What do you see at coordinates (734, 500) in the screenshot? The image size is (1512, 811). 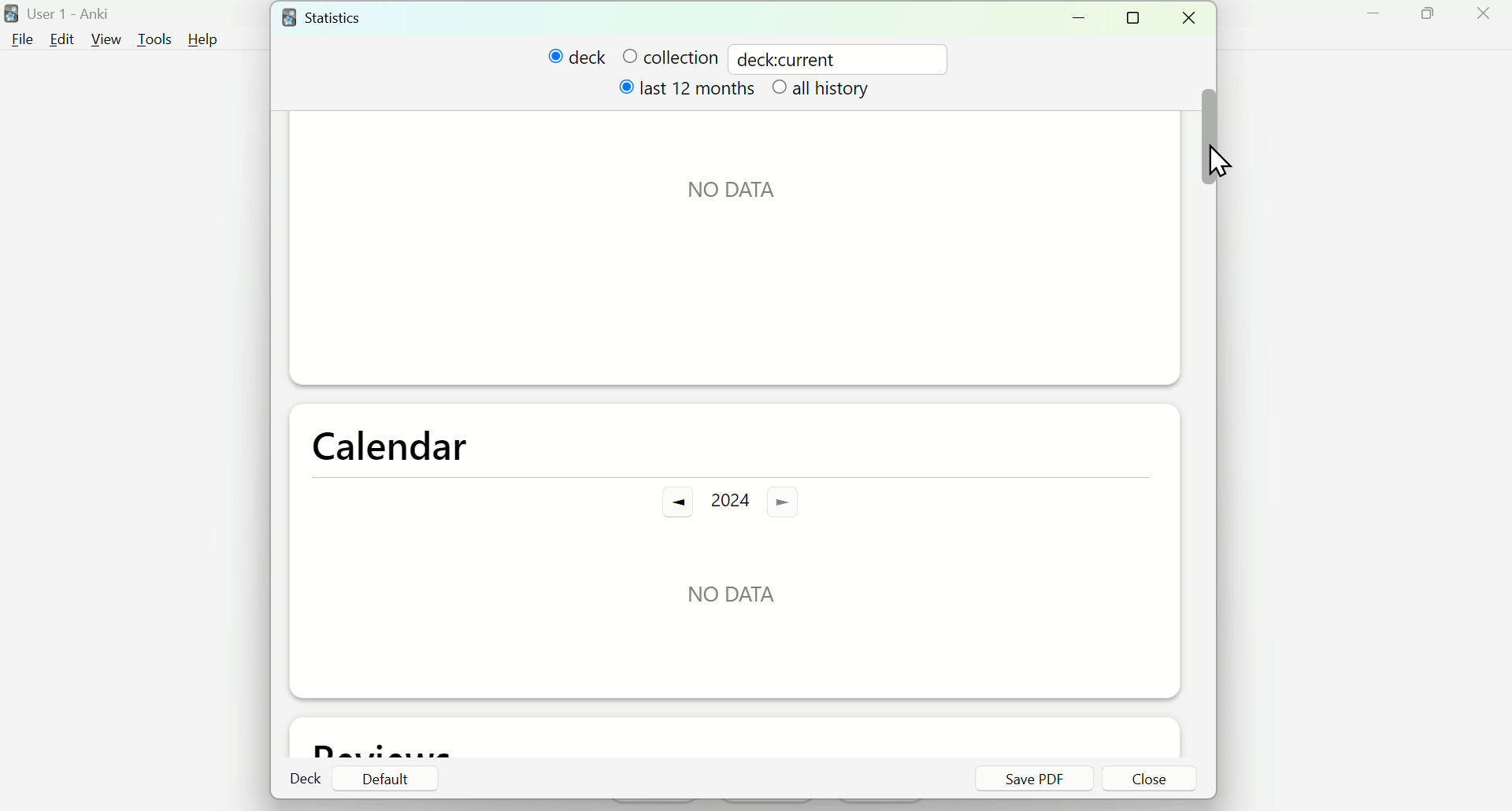 I see `2024` at bounding box center [734, 500].